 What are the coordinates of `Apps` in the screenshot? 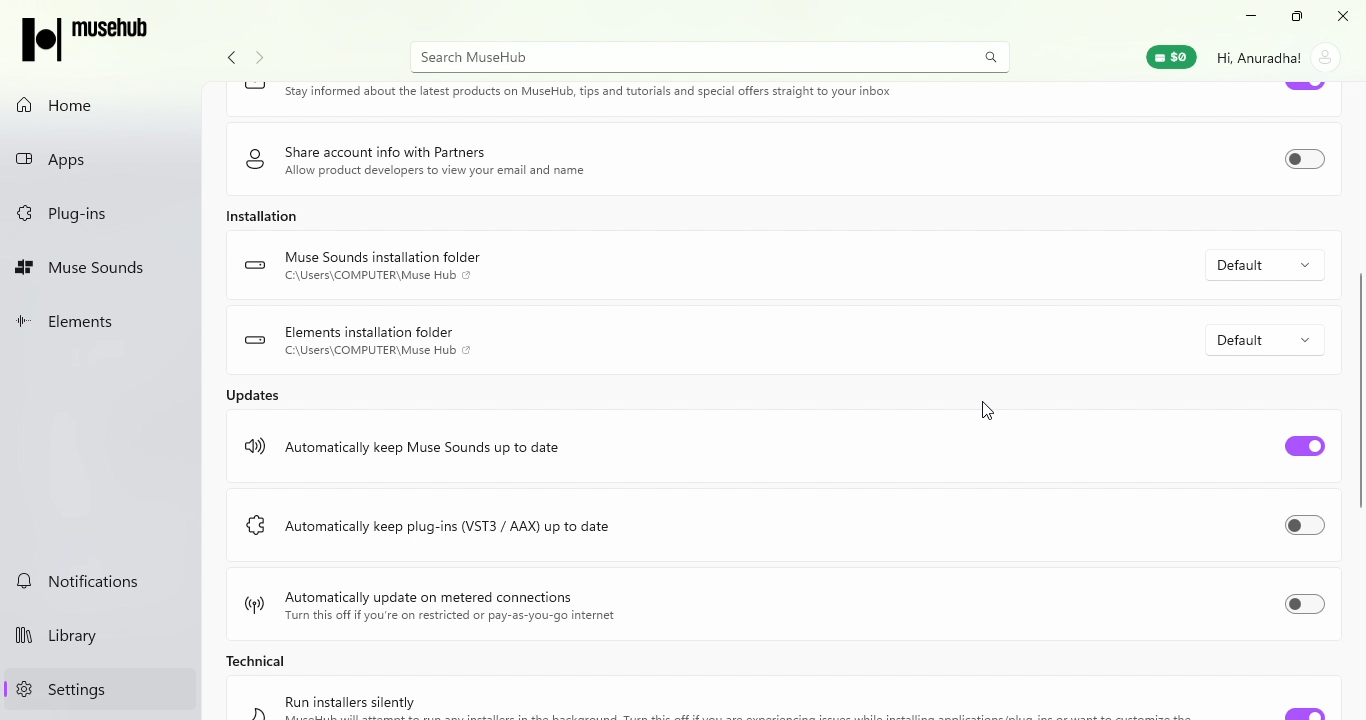 It's located at (99, 164).